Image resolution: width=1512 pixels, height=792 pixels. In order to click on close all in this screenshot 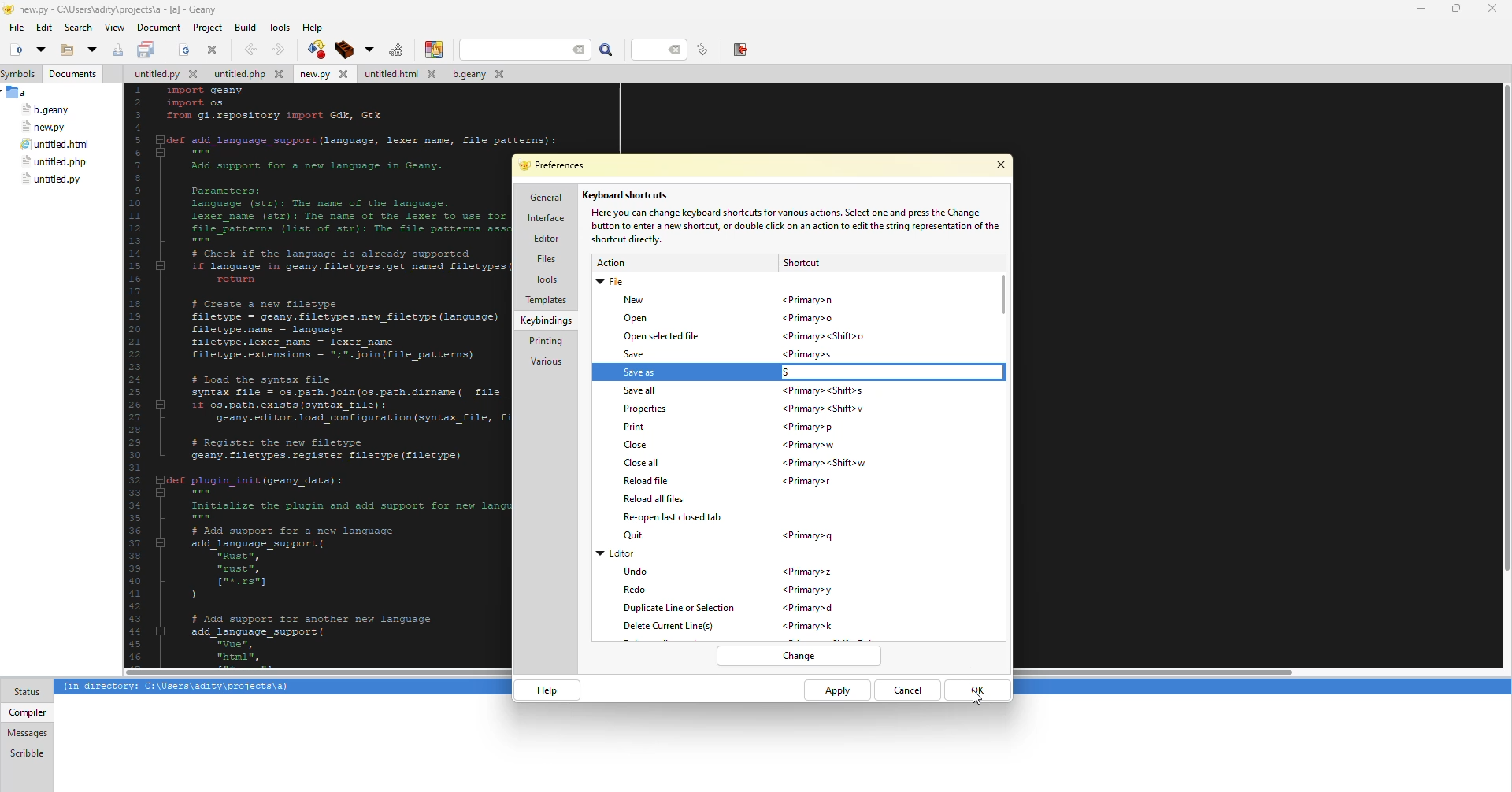, I will do `click(640, 464)`.